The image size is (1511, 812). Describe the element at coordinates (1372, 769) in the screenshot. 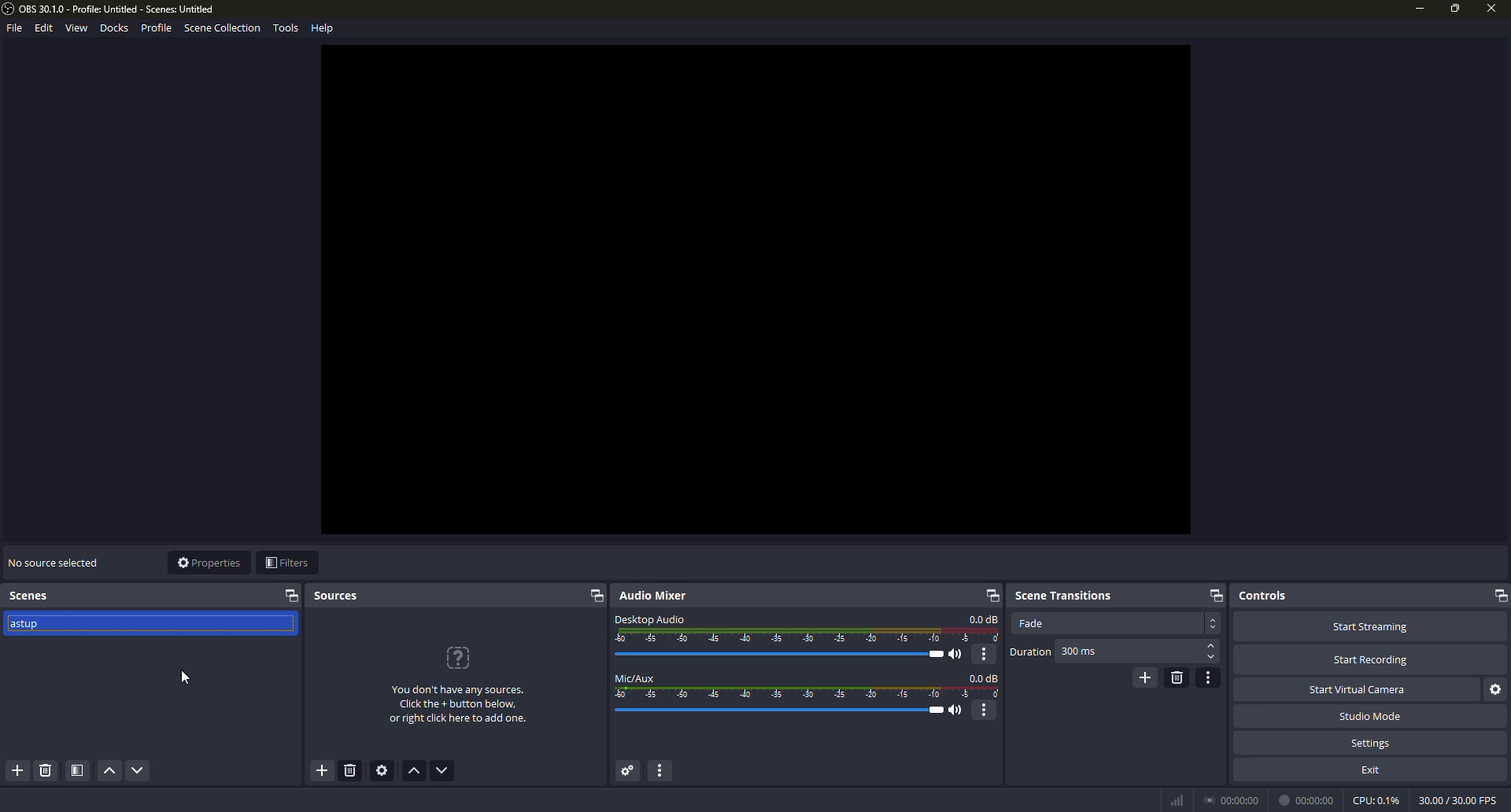

I see `exit` at that location.